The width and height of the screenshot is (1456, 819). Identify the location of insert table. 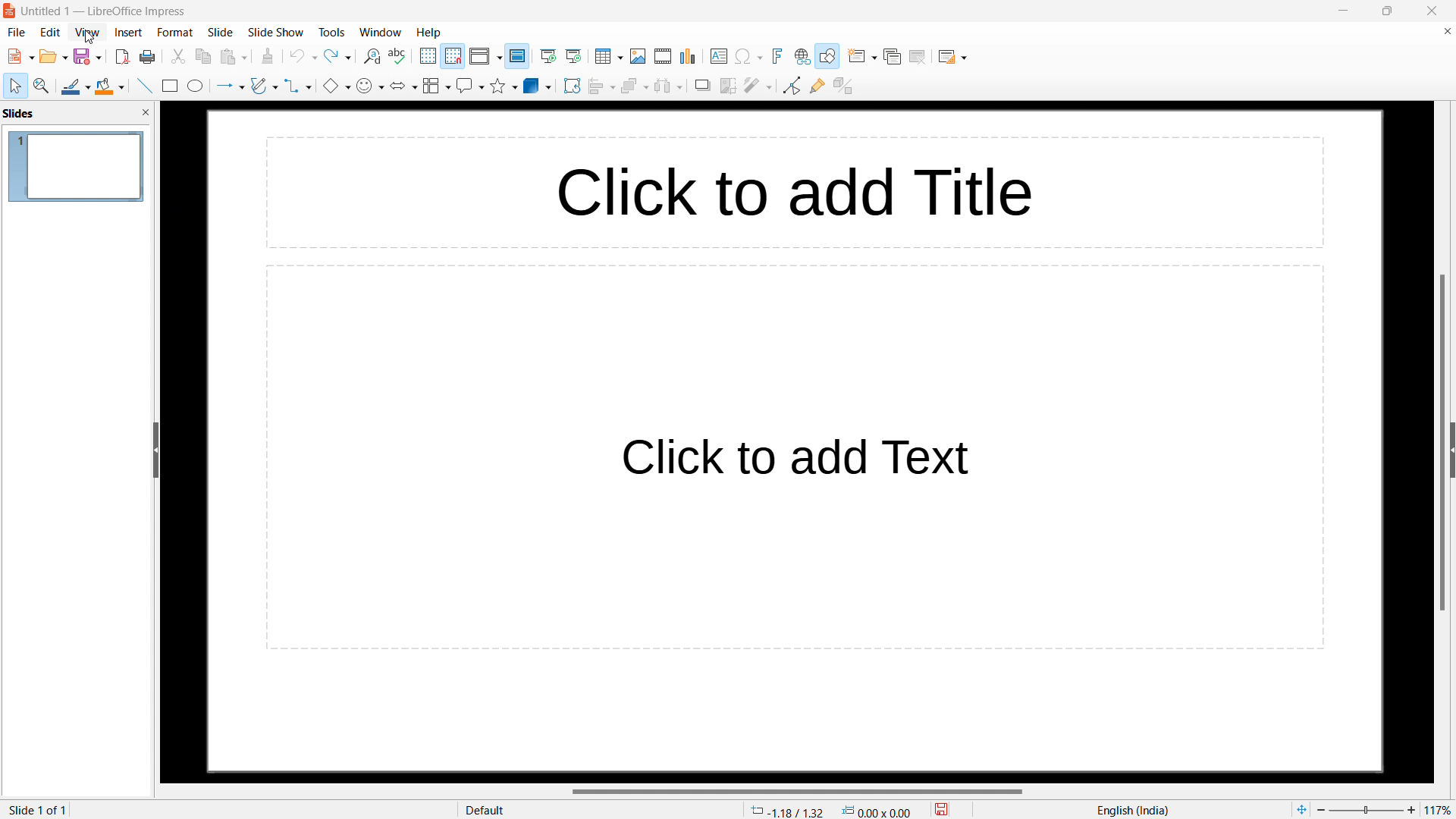
(609, 56).